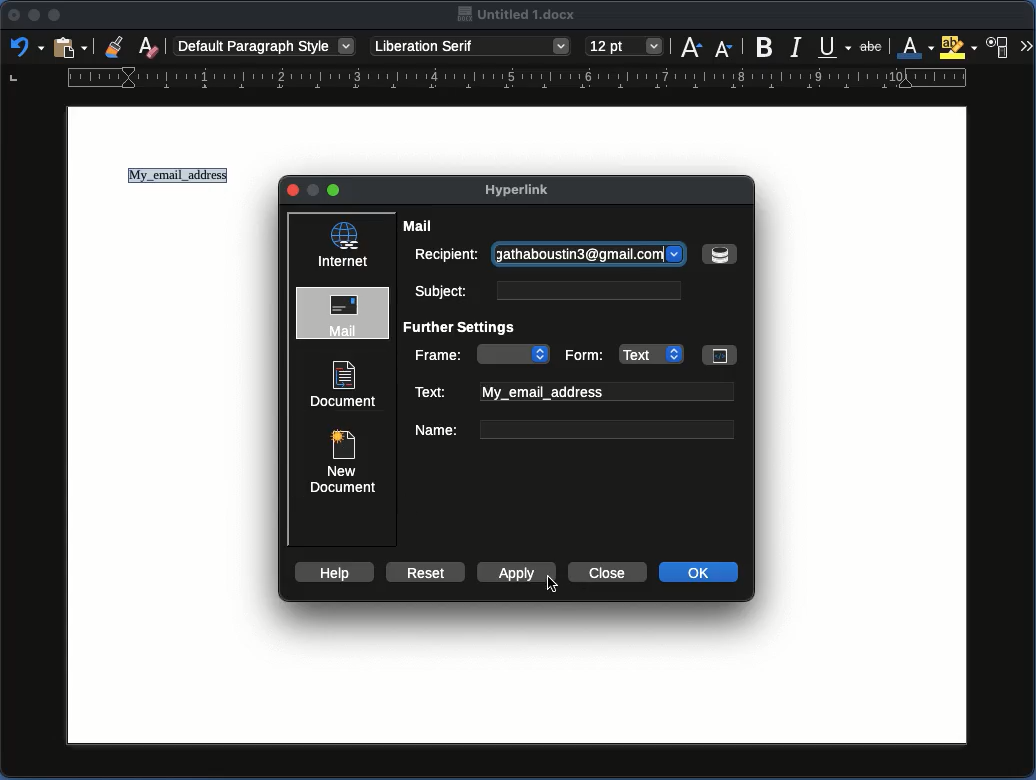 This screenshot has height=780, width=1036. Describe the element at coordinates (625, 45) in the screenshot. I see `12pt` at that location.